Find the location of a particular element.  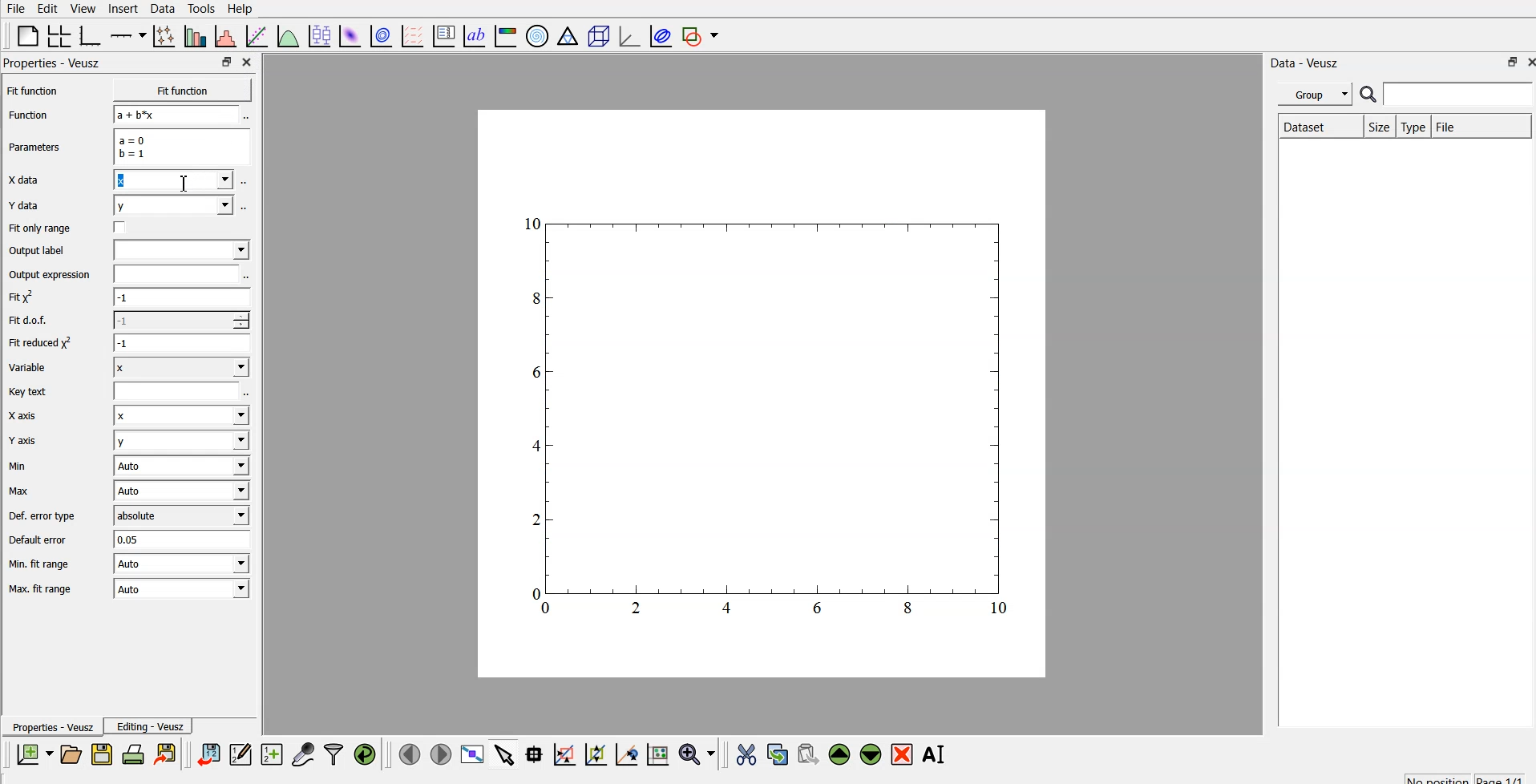

<I is located at coordinates (180, 368).